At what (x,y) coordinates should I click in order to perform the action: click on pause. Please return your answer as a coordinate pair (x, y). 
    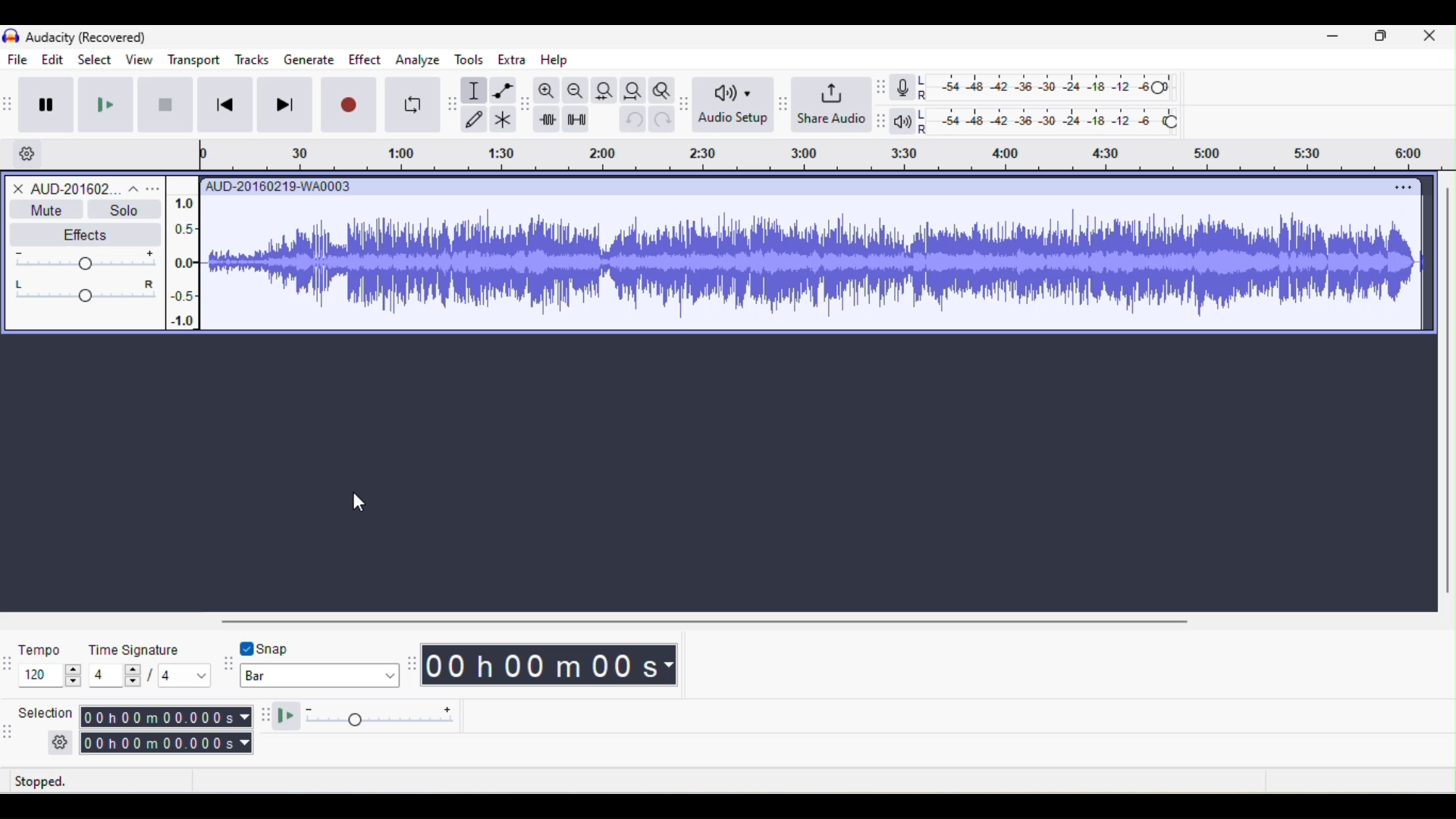
    Looking at the image, I should click on (49, 102).